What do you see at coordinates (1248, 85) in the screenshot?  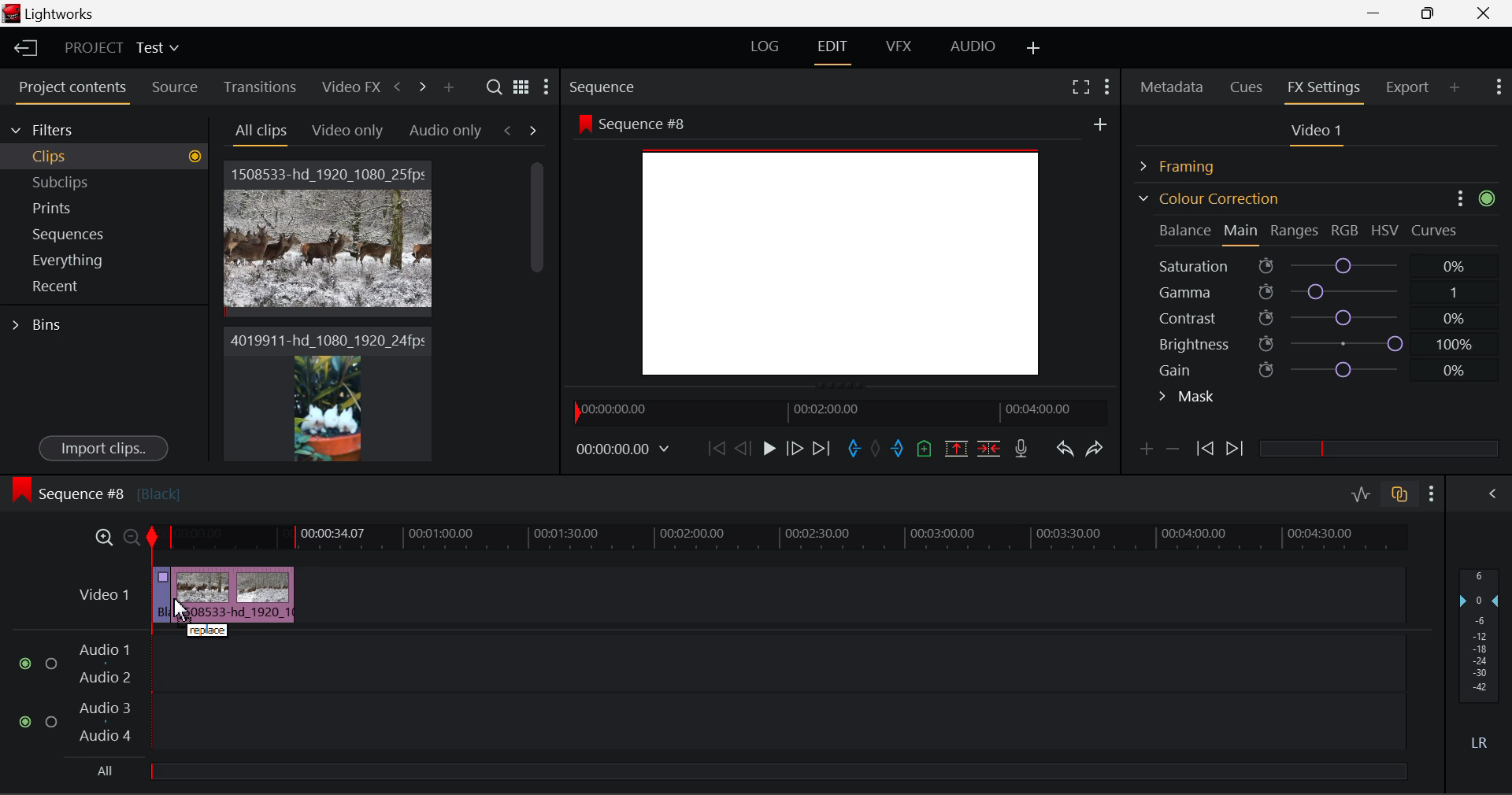 I see `Cues Panel` at bounding box center [1248, 85].